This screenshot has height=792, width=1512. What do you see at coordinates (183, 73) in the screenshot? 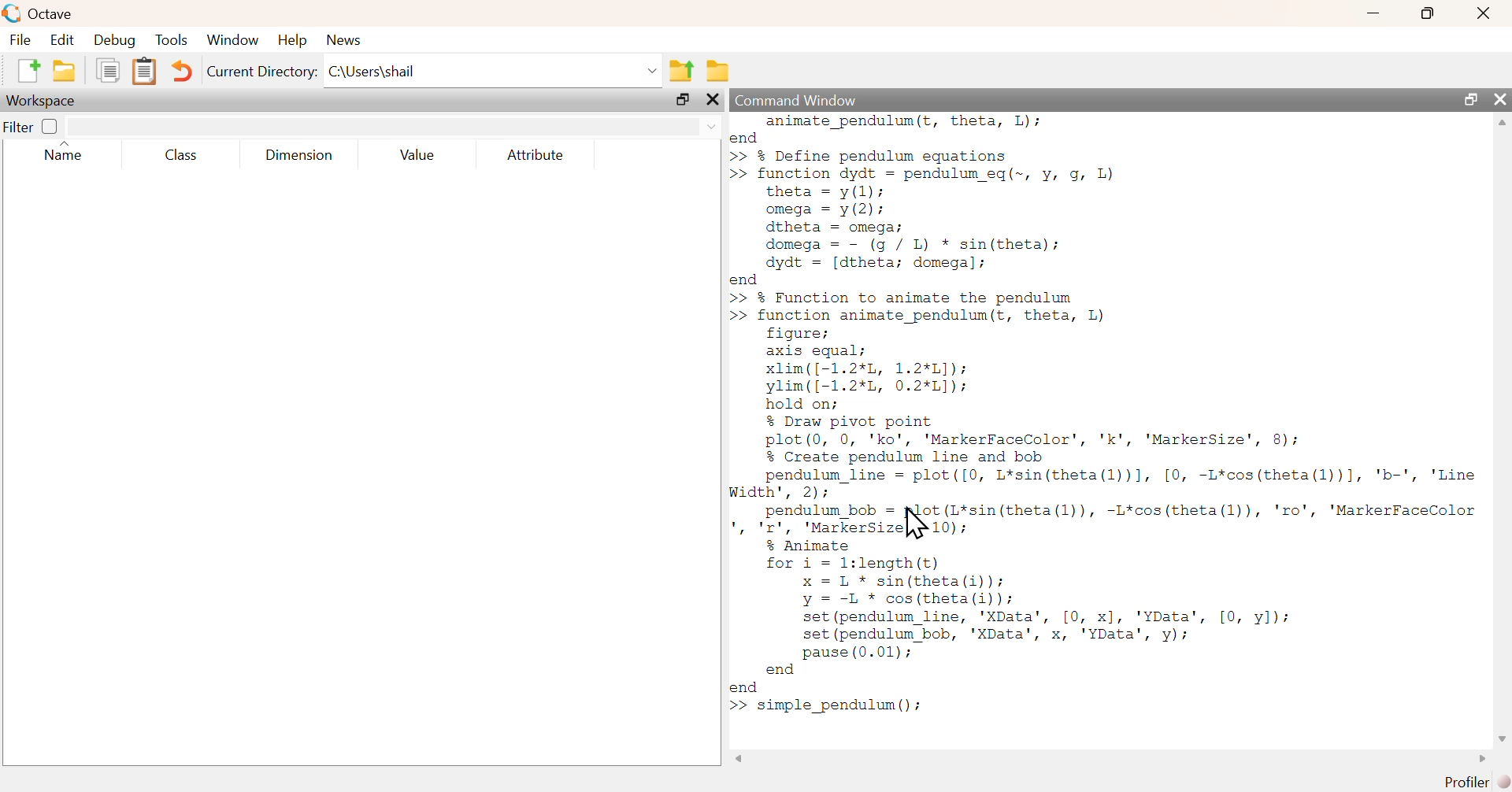
I see `Undo` at bounding box center [183, 73].